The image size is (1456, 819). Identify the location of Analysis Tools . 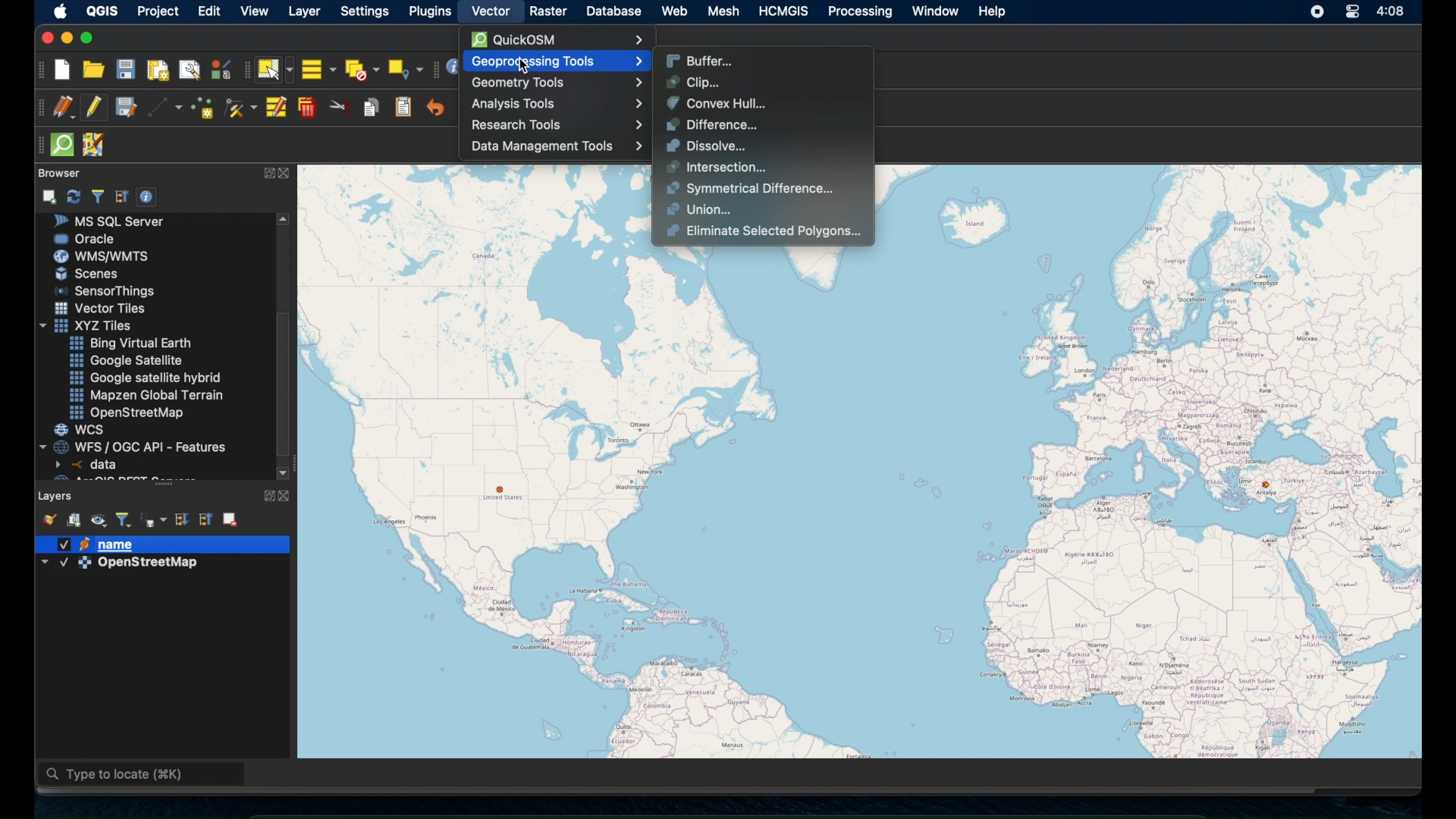
(561, 105).